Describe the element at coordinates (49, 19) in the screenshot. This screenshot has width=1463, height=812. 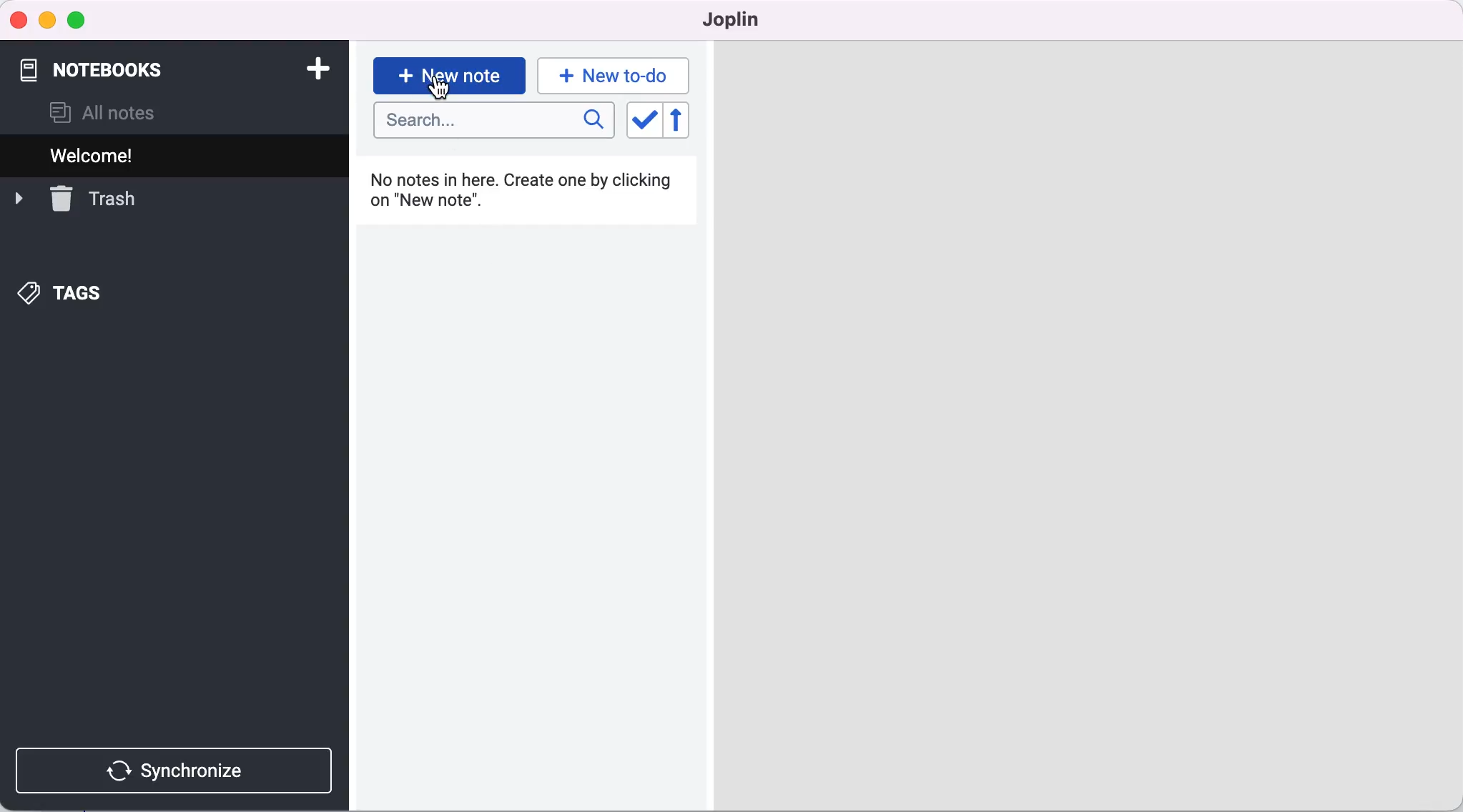
I see `minimize` at that location.